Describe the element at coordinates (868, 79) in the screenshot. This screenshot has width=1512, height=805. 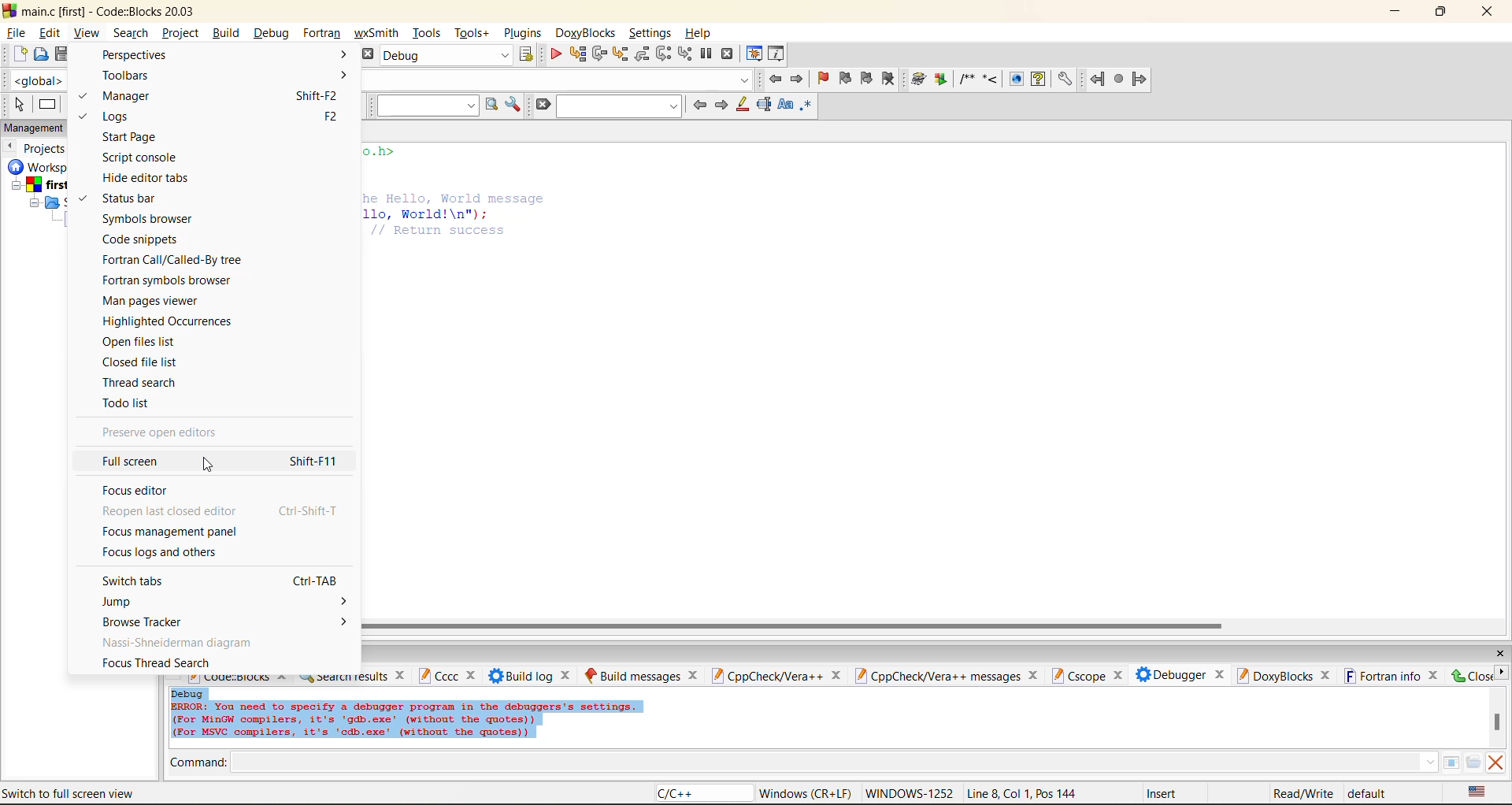
I see `next bookmark` at that location.